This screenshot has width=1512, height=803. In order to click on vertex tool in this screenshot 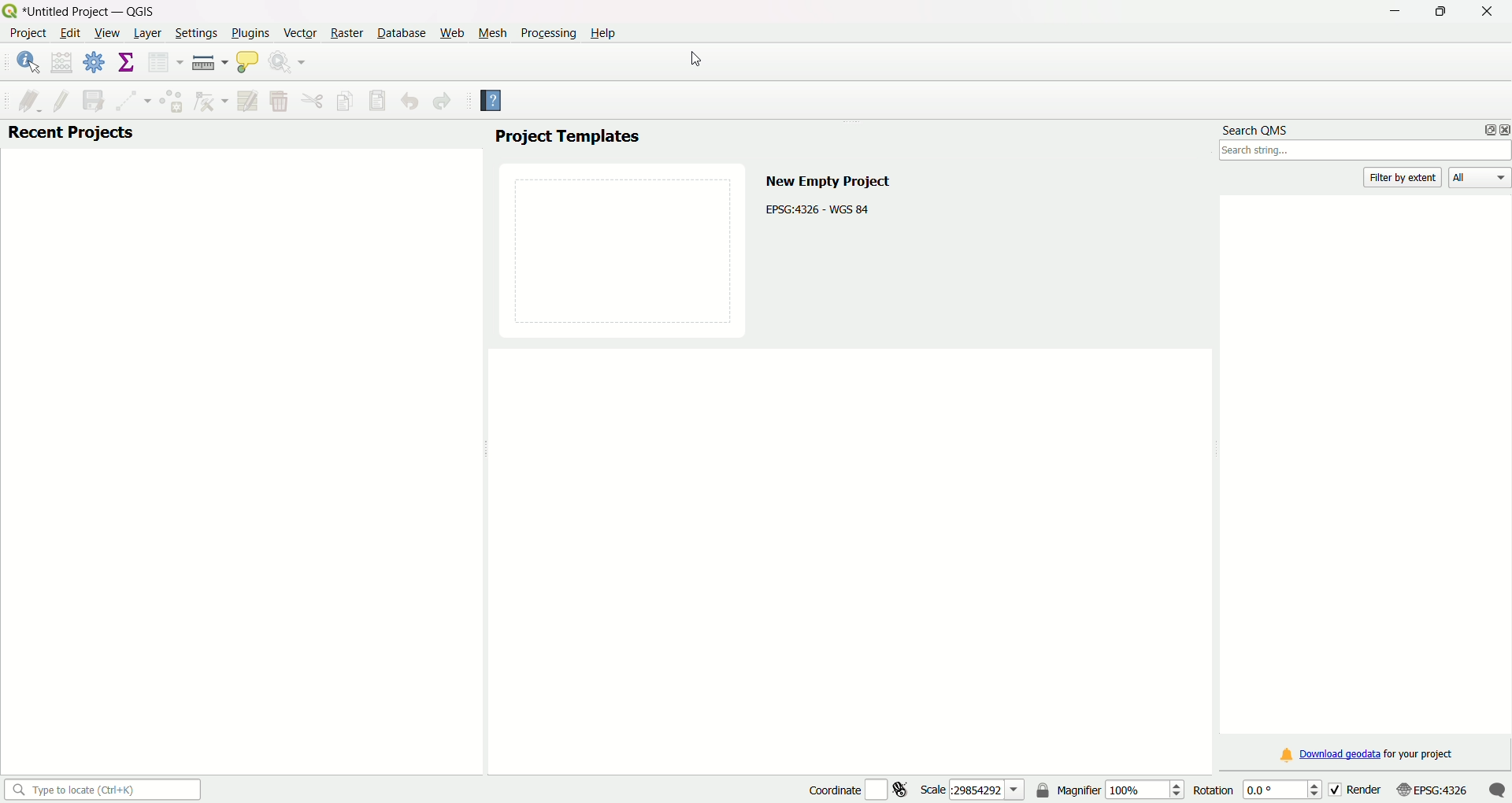, I will do `click(209, 102)`.